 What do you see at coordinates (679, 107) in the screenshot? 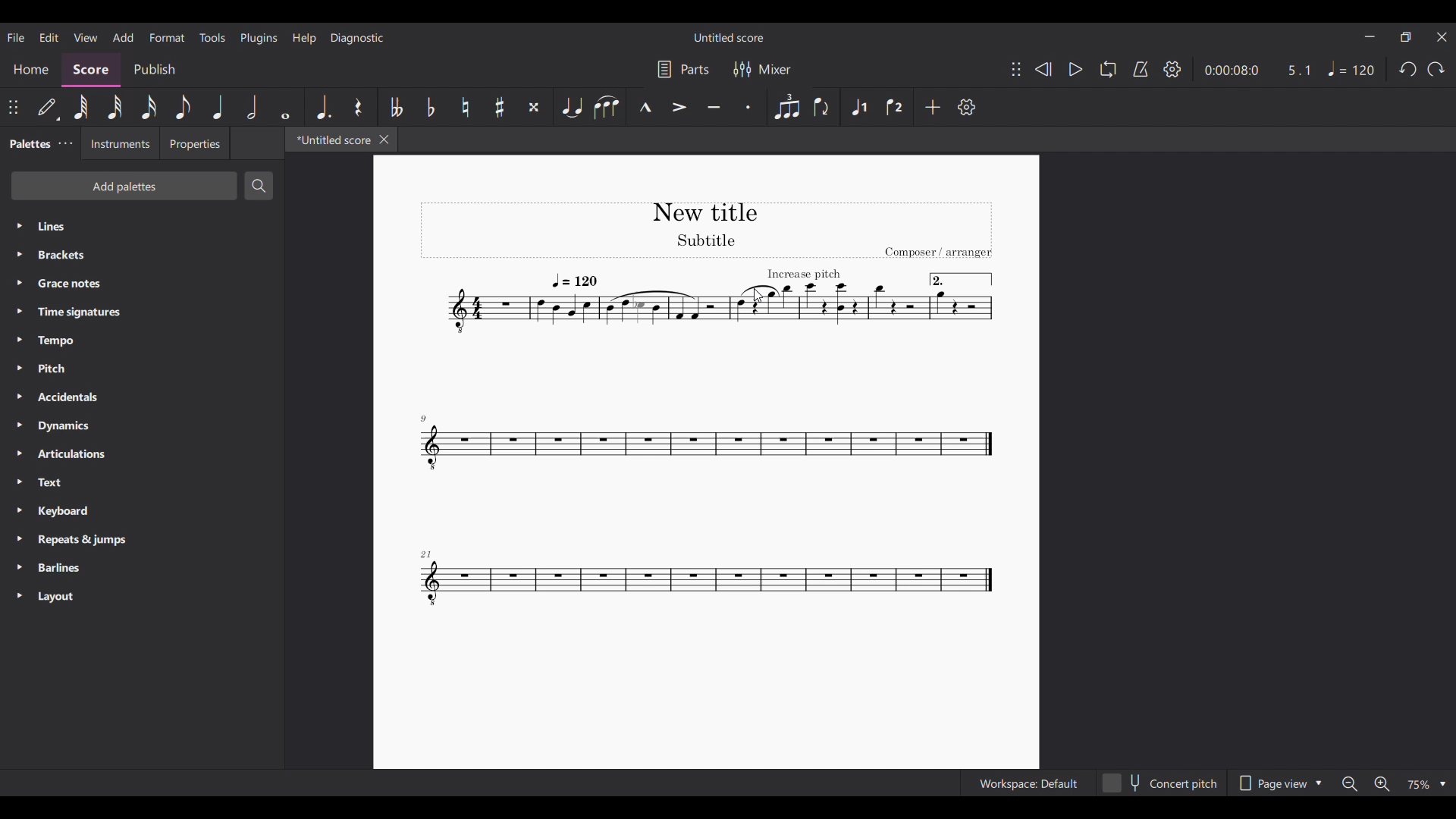
I see `Accent` at bounding box center [679, 107].